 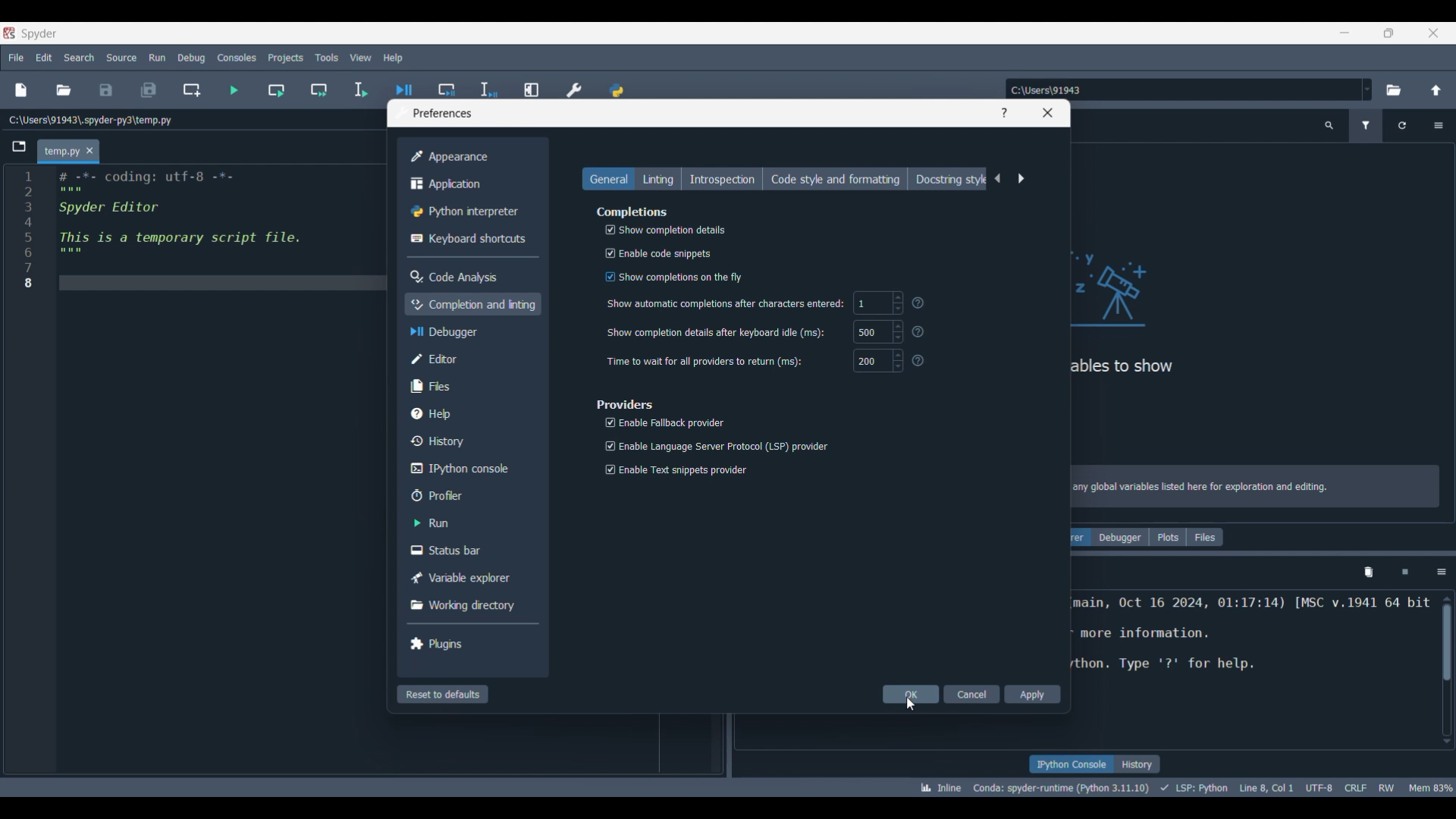 What do you see at coordinates (633, 212) in the screenshot?
I see `Section title` at bounding box center [633, 212].